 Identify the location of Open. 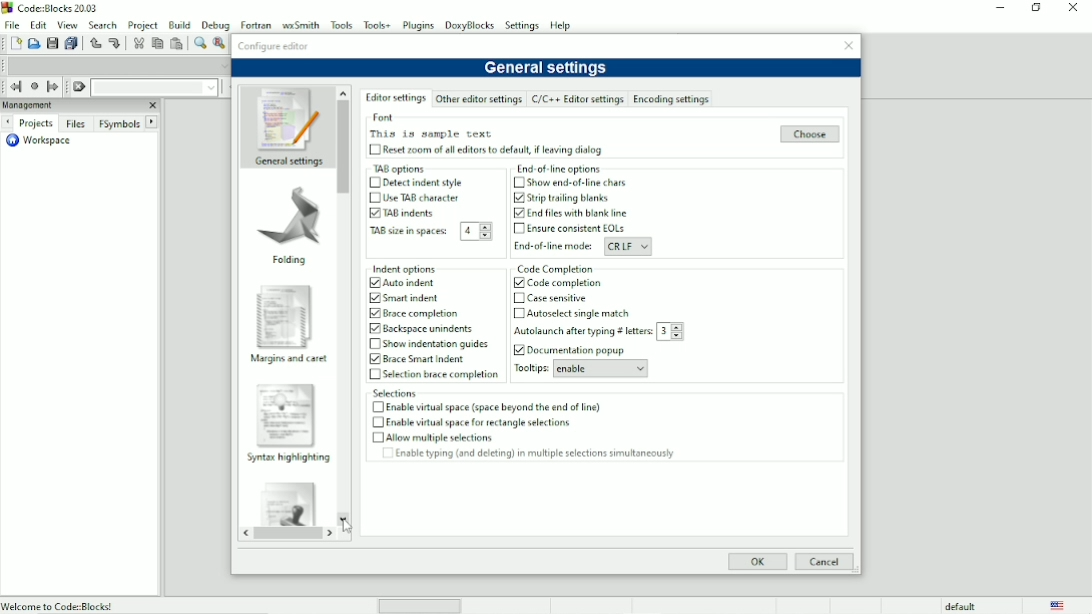
(33, 43).